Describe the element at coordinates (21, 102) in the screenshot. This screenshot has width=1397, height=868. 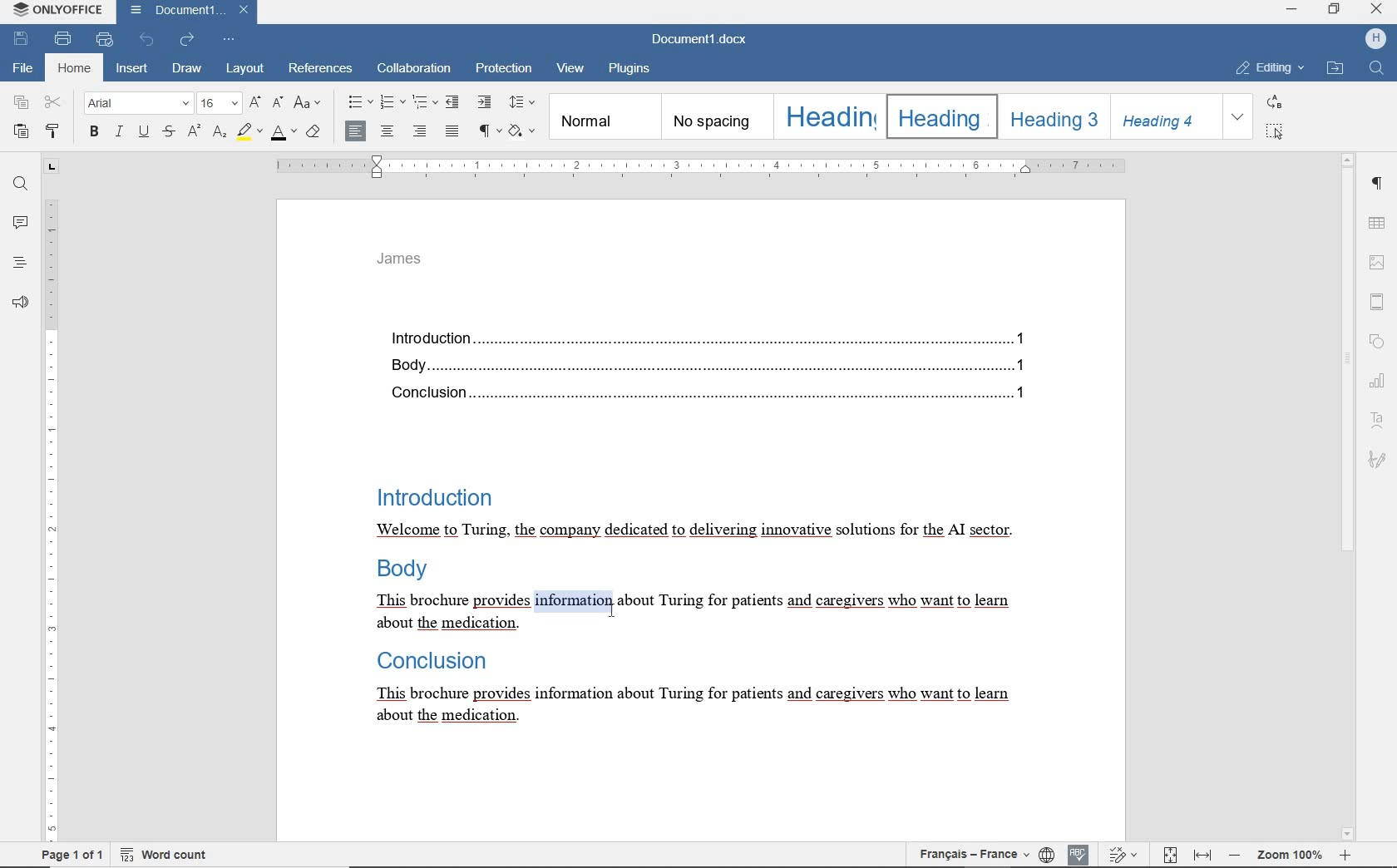
I see `COPY` at that location.